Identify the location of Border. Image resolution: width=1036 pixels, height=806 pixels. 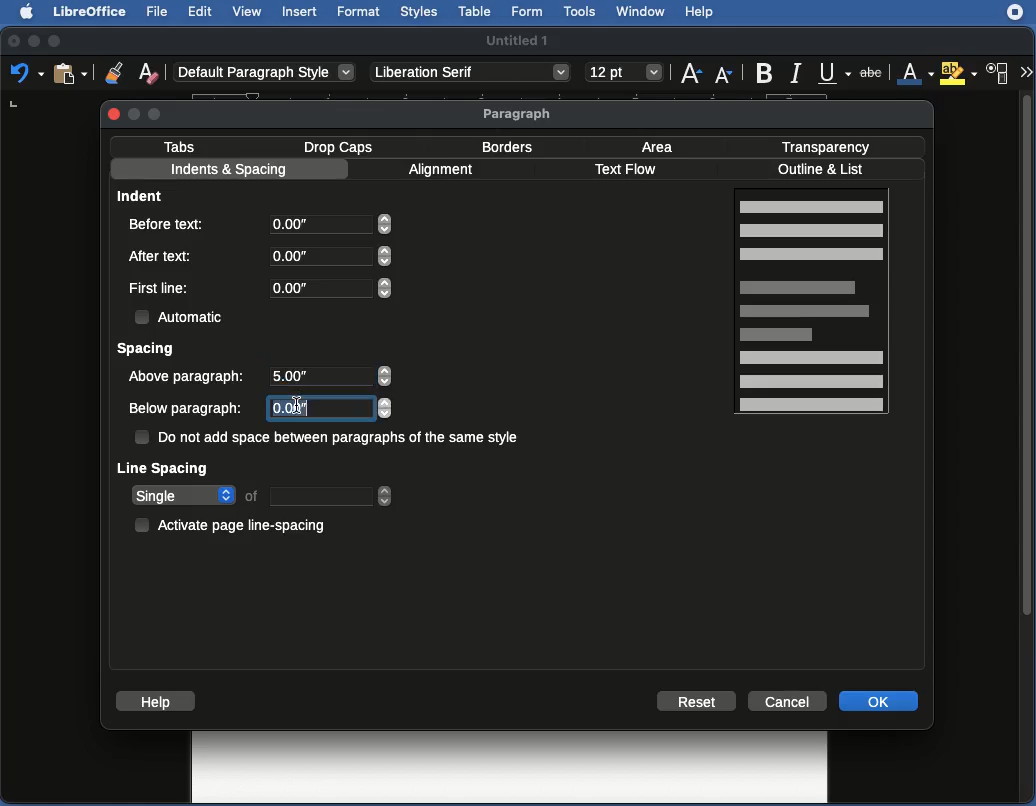
(508, 147).